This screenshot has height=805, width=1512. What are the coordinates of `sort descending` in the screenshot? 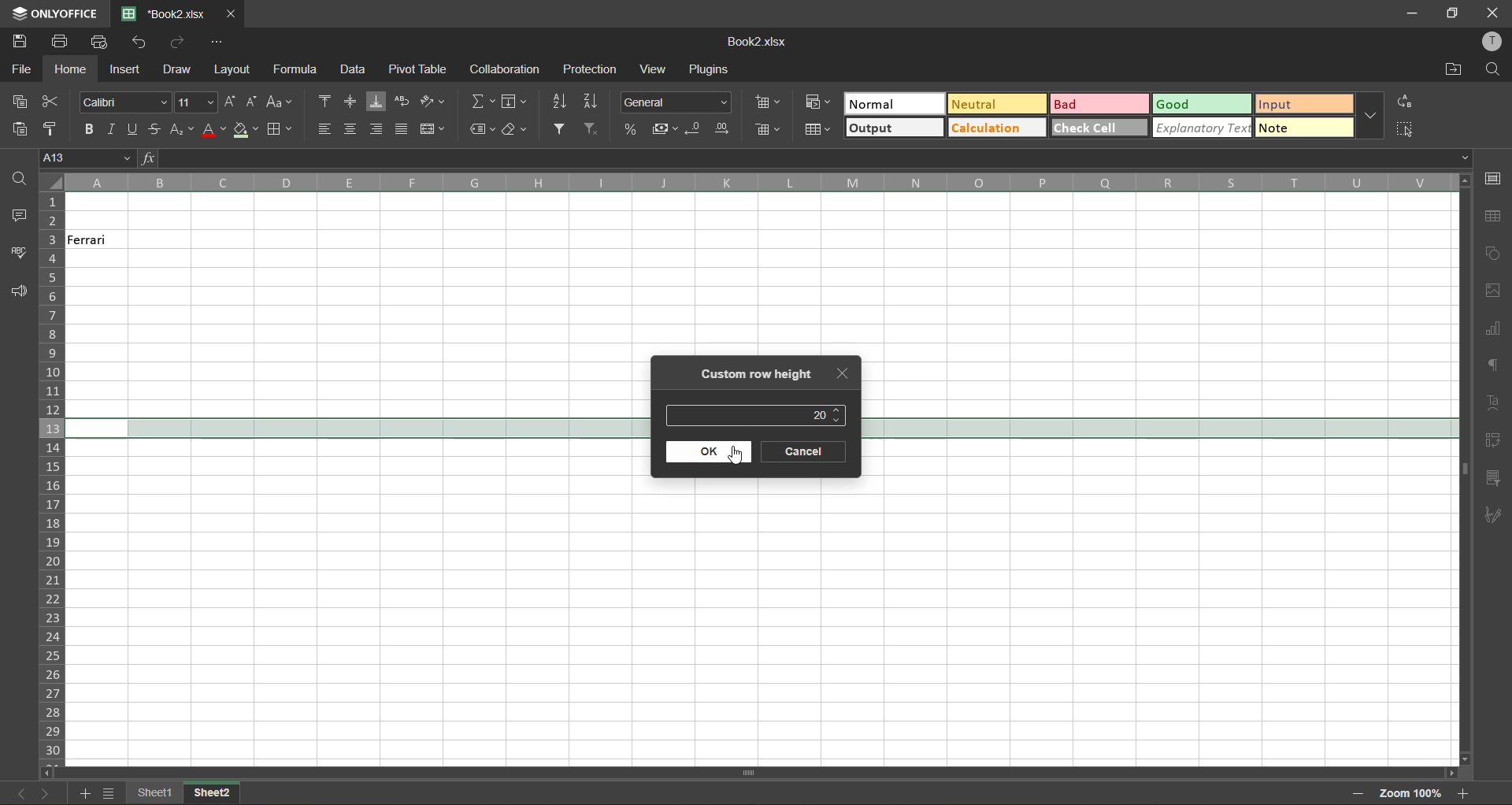 It's located at (595, 102).